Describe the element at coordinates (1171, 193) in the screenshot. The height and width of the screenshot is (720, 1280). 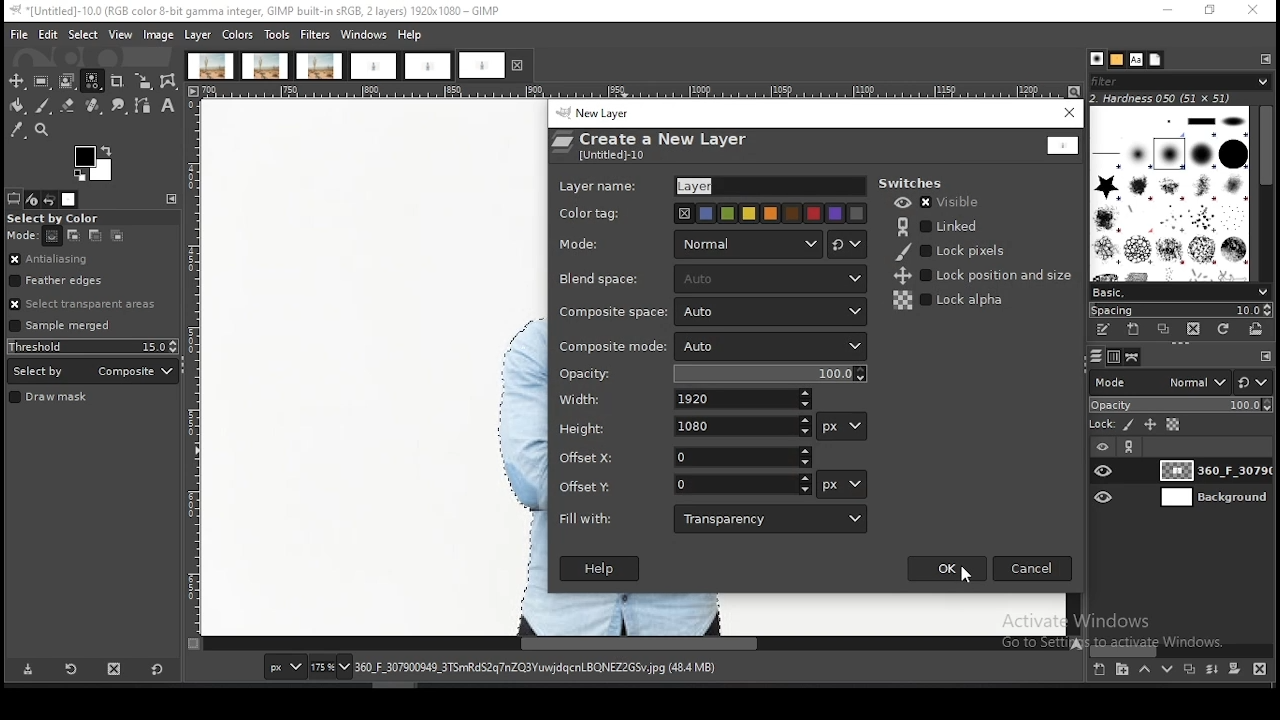
I see `brushes` at that location.